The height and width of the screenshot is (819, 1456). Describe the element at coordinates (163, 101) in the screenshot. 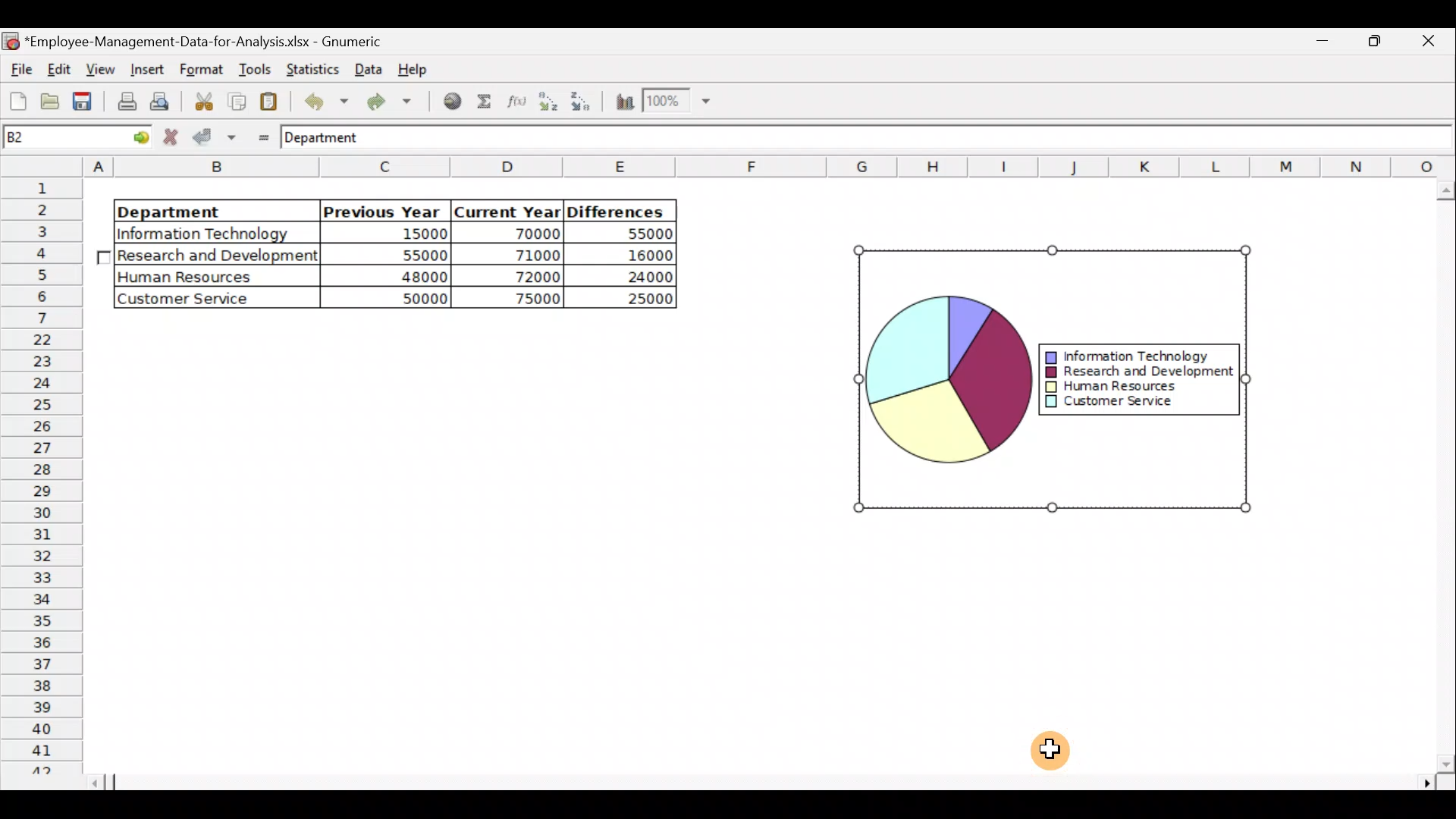

I see `Print preview` at that location.